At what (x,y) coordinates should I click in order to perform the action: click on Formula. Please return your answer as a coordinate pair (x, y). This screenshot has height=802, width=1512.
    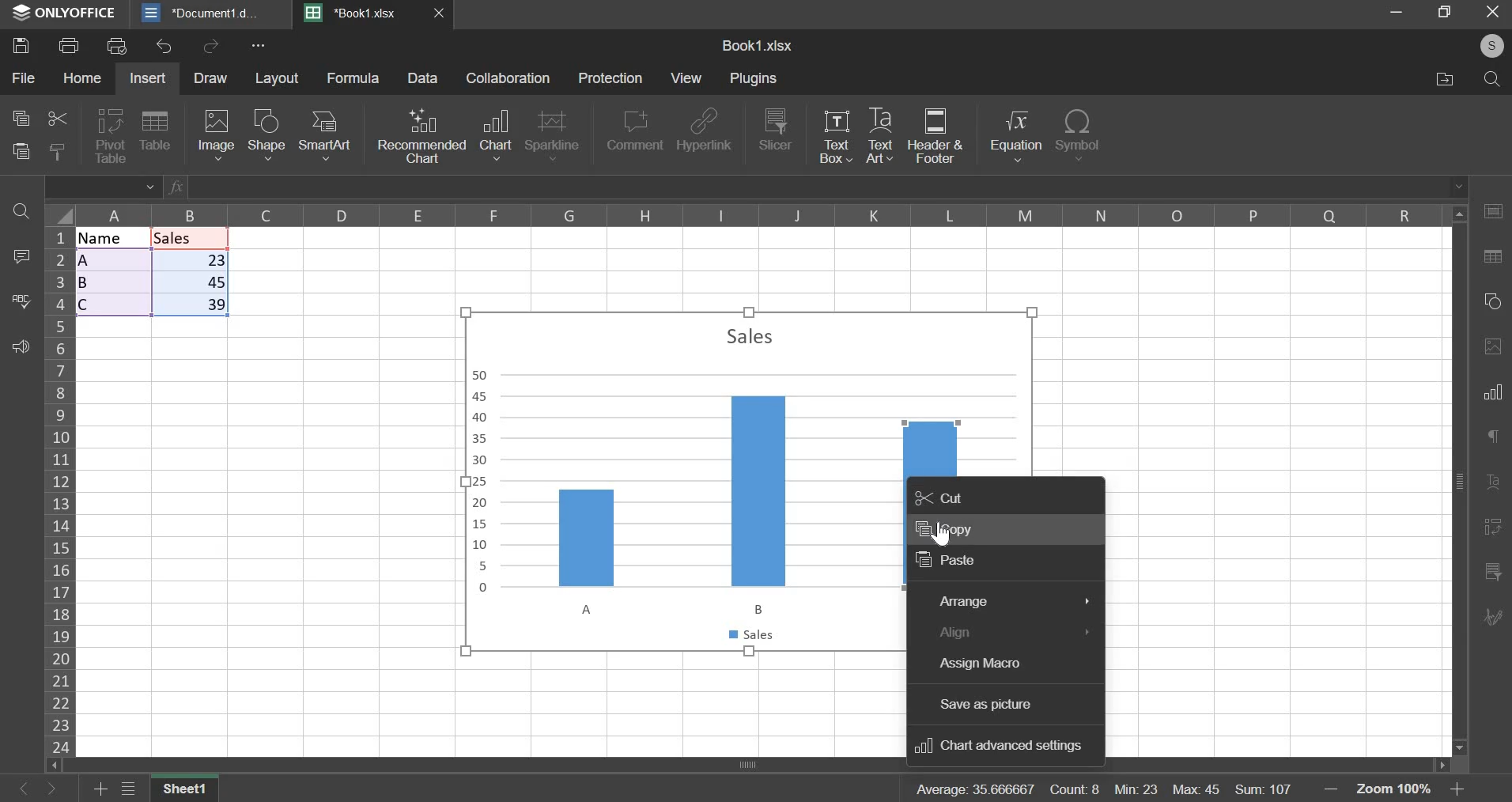
    Looking at the image, I should click on (175, 187).